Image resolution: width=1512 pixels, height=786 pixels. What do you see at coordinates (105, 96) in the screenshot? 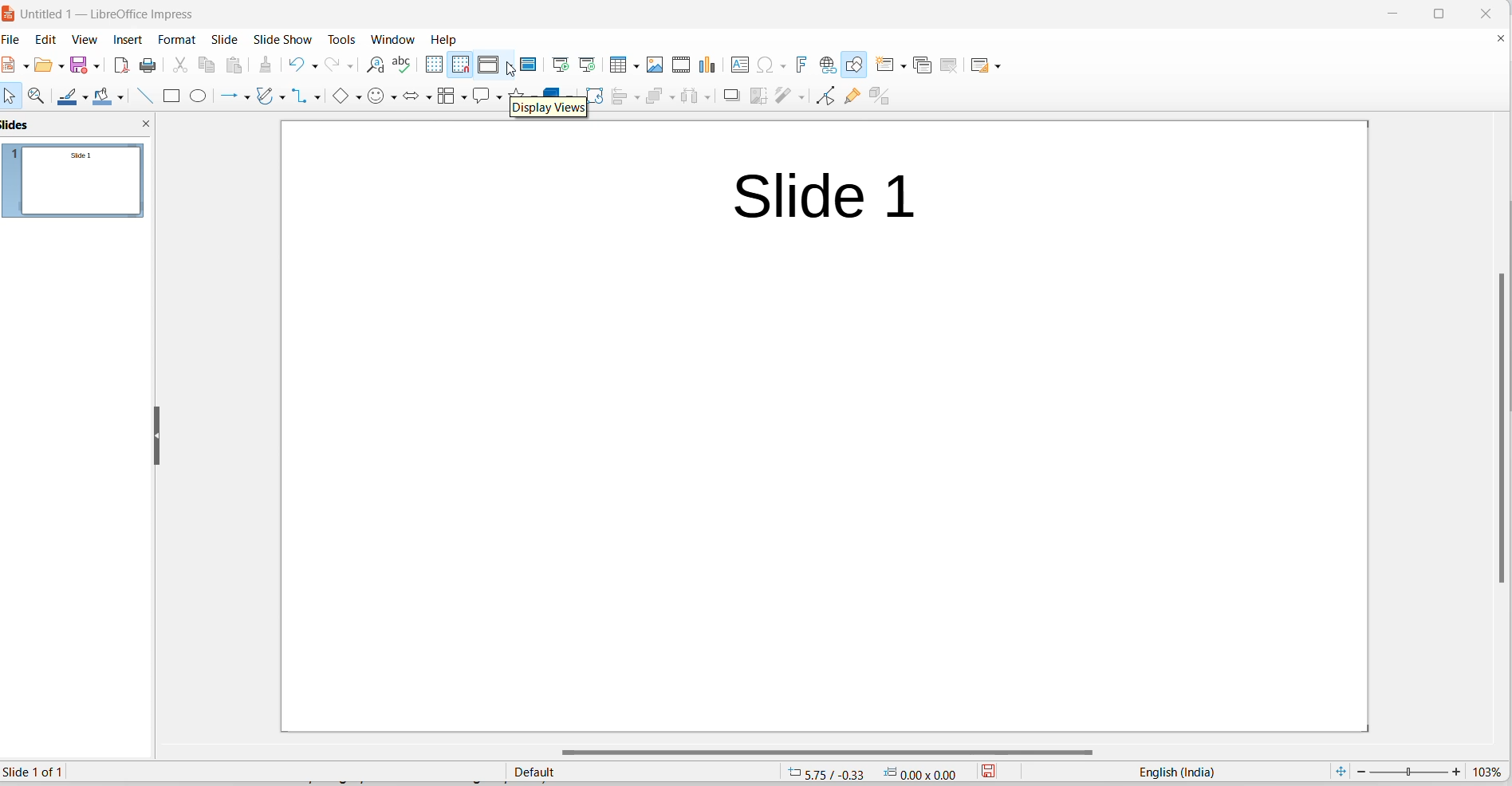
I see `fill colors` at bounding box center [105, 96].